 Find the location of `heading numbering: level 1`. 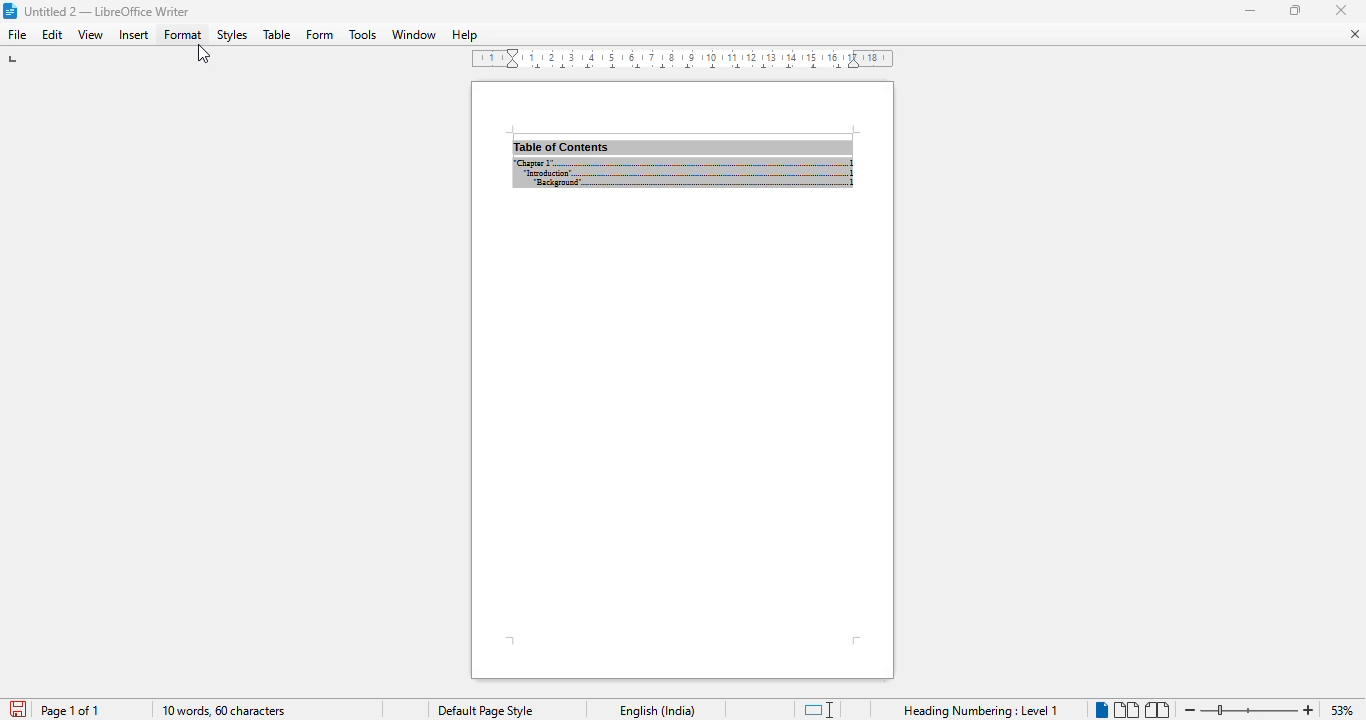

heading numbering: level 1 is located at coordinates (982, 711).